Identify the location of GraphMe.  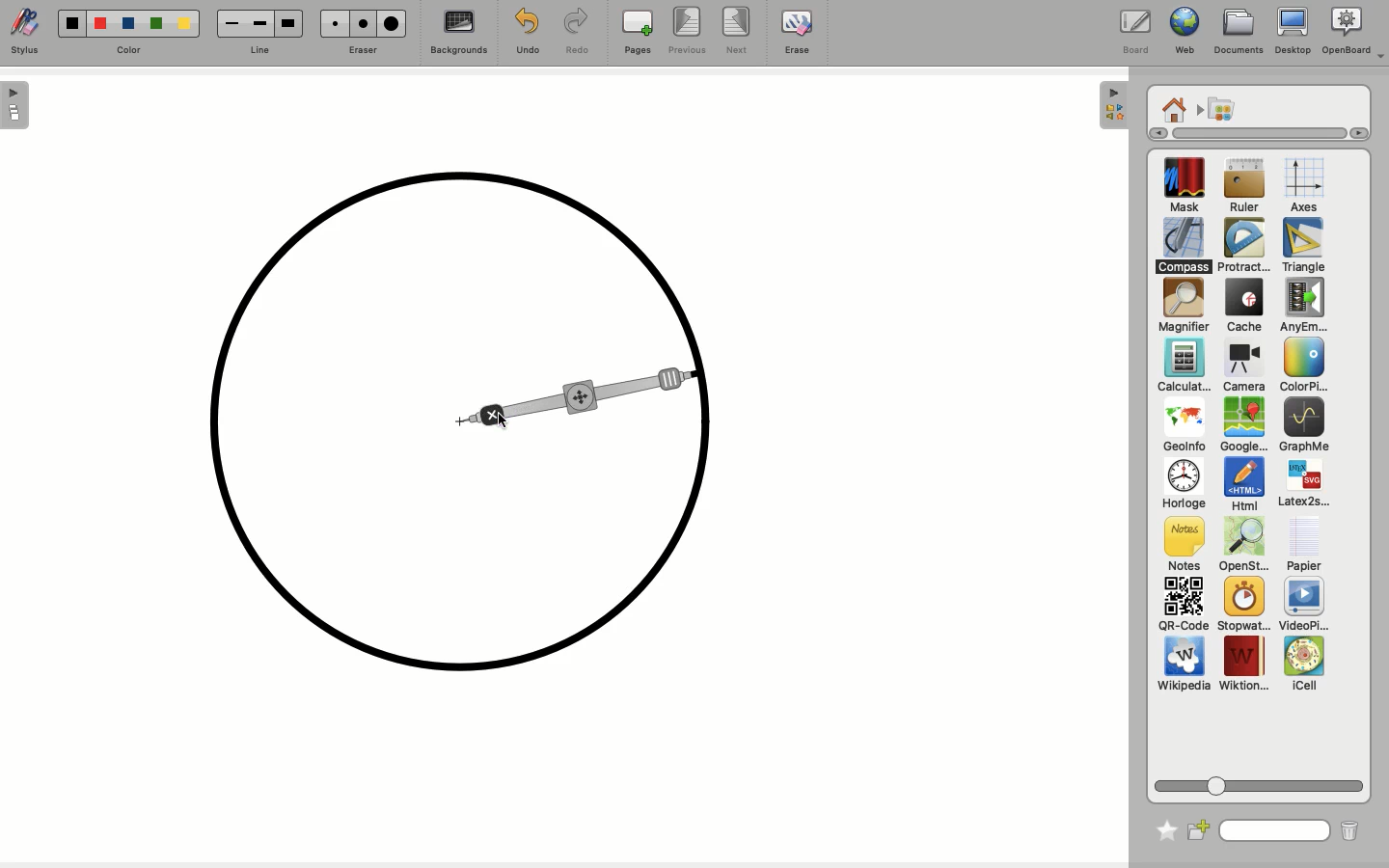
(1303, 426).